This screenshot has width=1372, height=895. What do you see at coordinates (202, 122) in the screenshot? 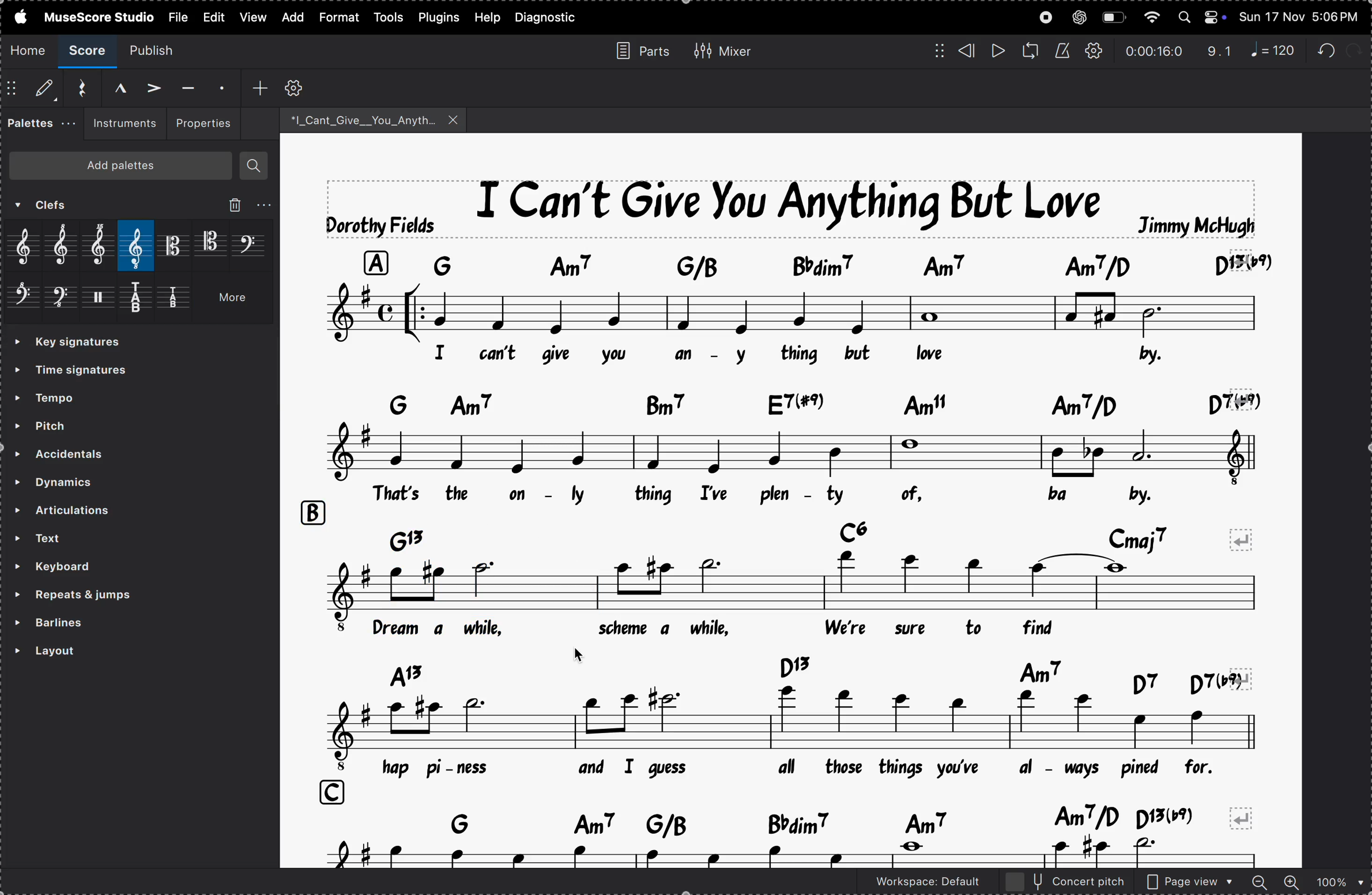
I see `properties` at bounding box center [202, 122].